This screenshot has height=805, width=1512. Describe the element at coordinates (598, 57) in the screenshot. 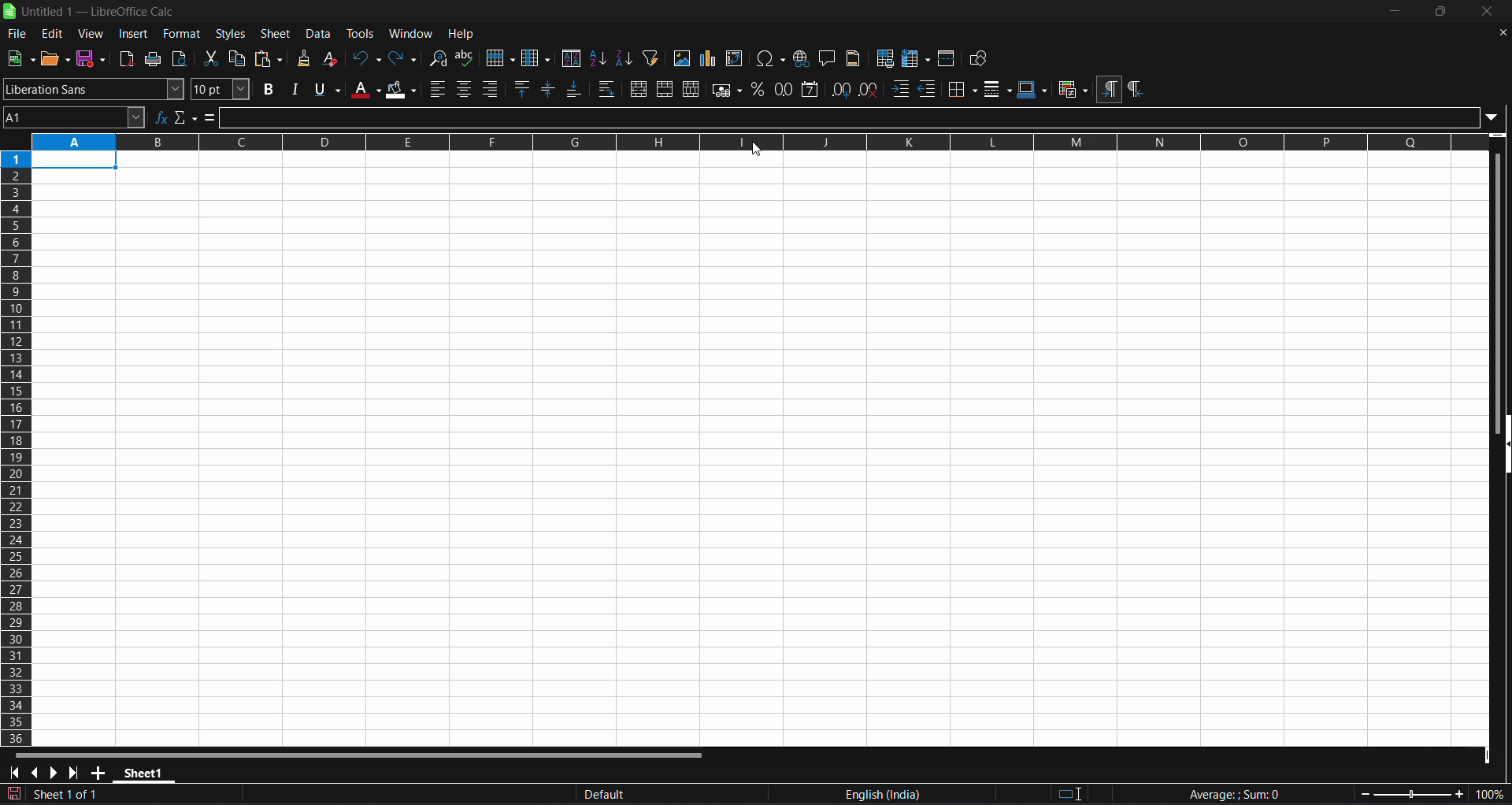

I see `sort ascending` at that location.